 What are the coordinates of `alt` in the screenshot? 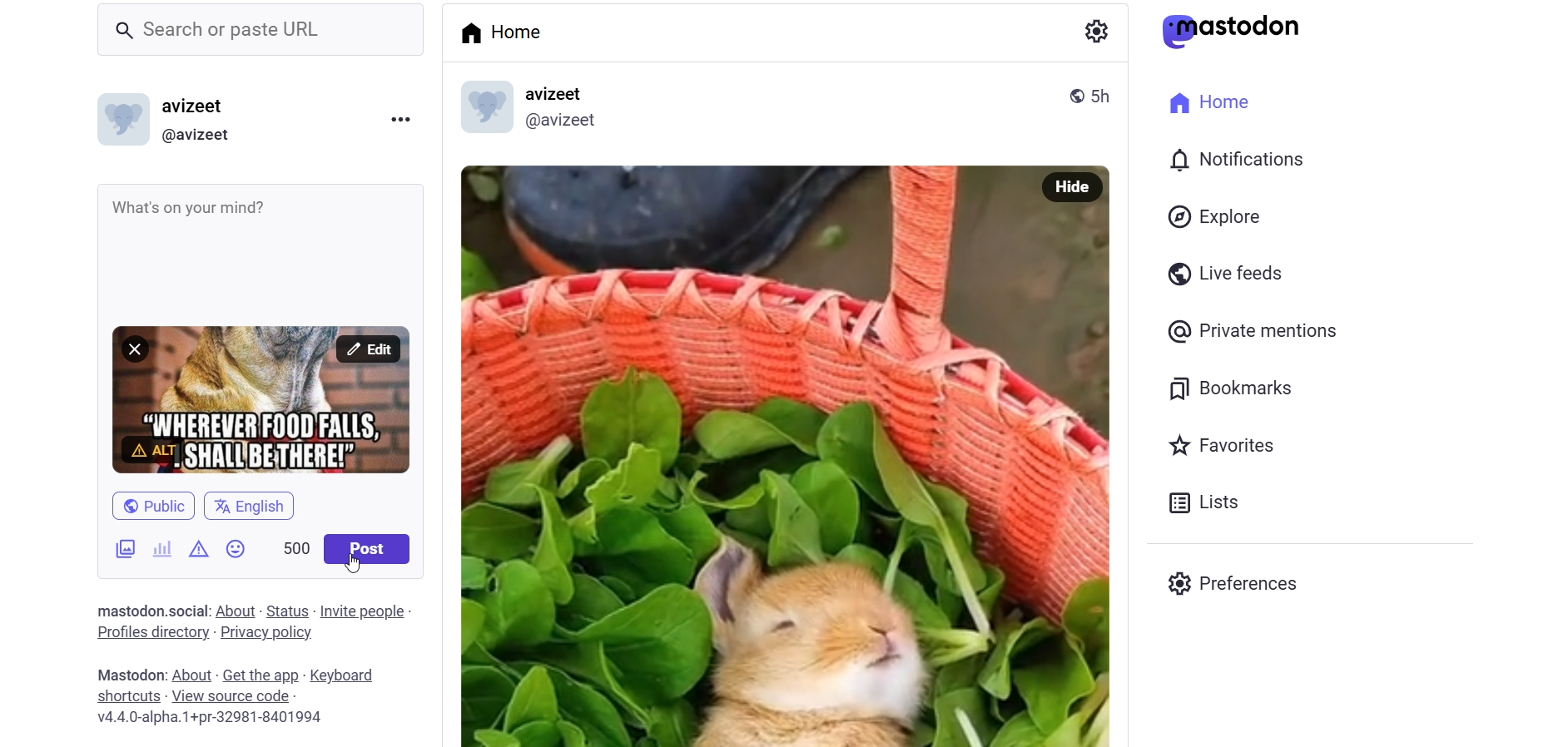 It's located at (154, 448).